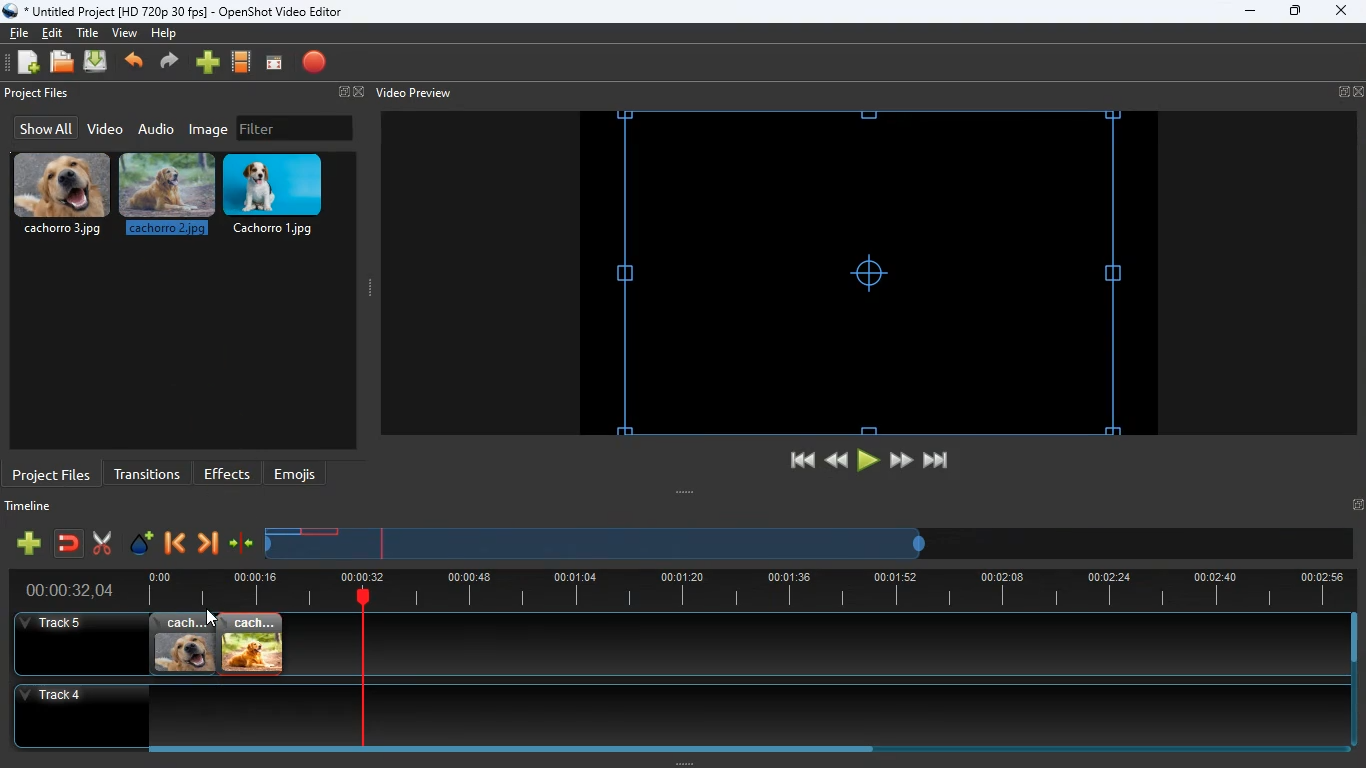  I want to click on maximize, so click(1296, 13).